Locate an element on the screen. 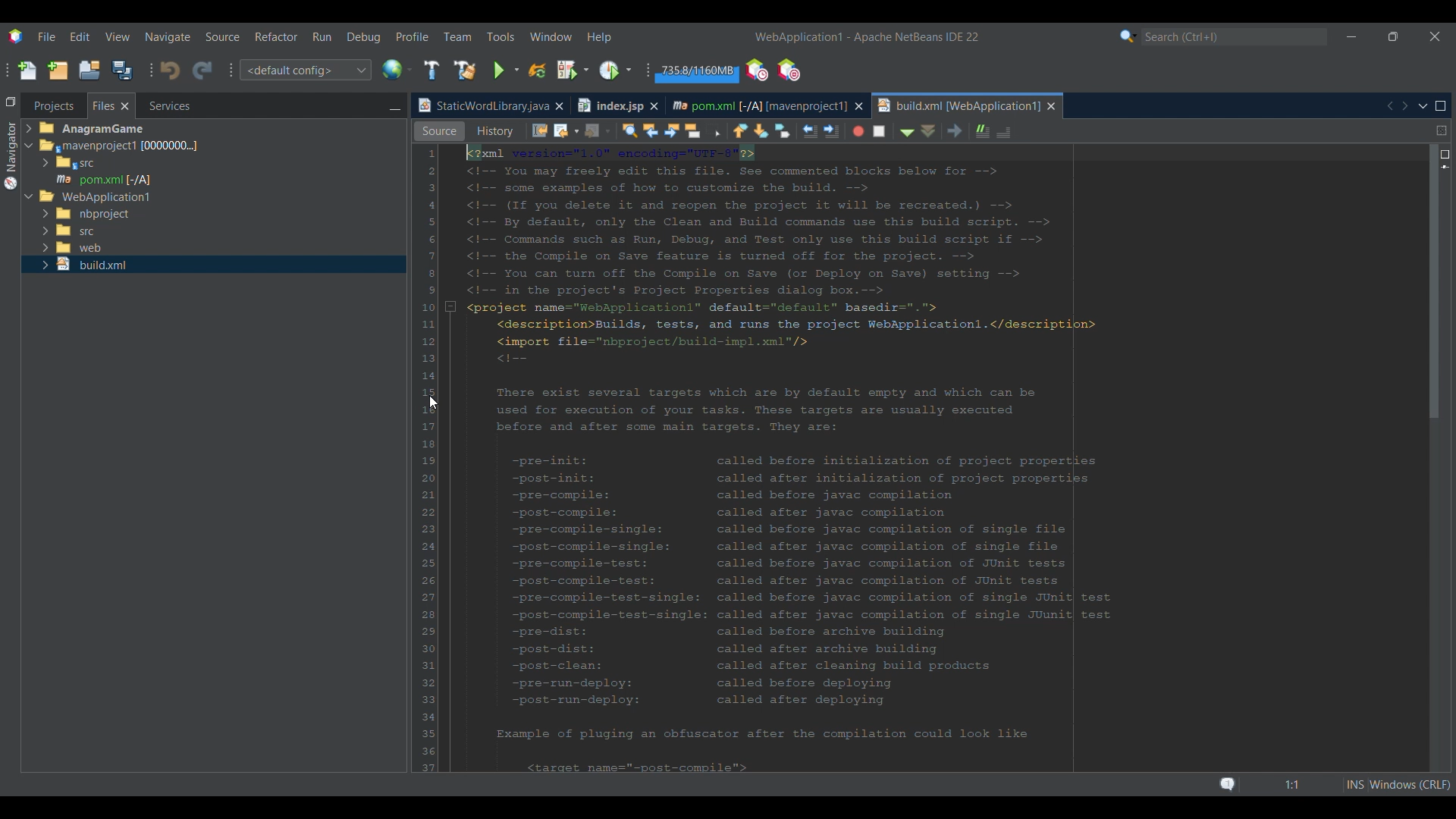 This screenshot has height=819, width=1456. Open project is located at coordinates (89, 70).